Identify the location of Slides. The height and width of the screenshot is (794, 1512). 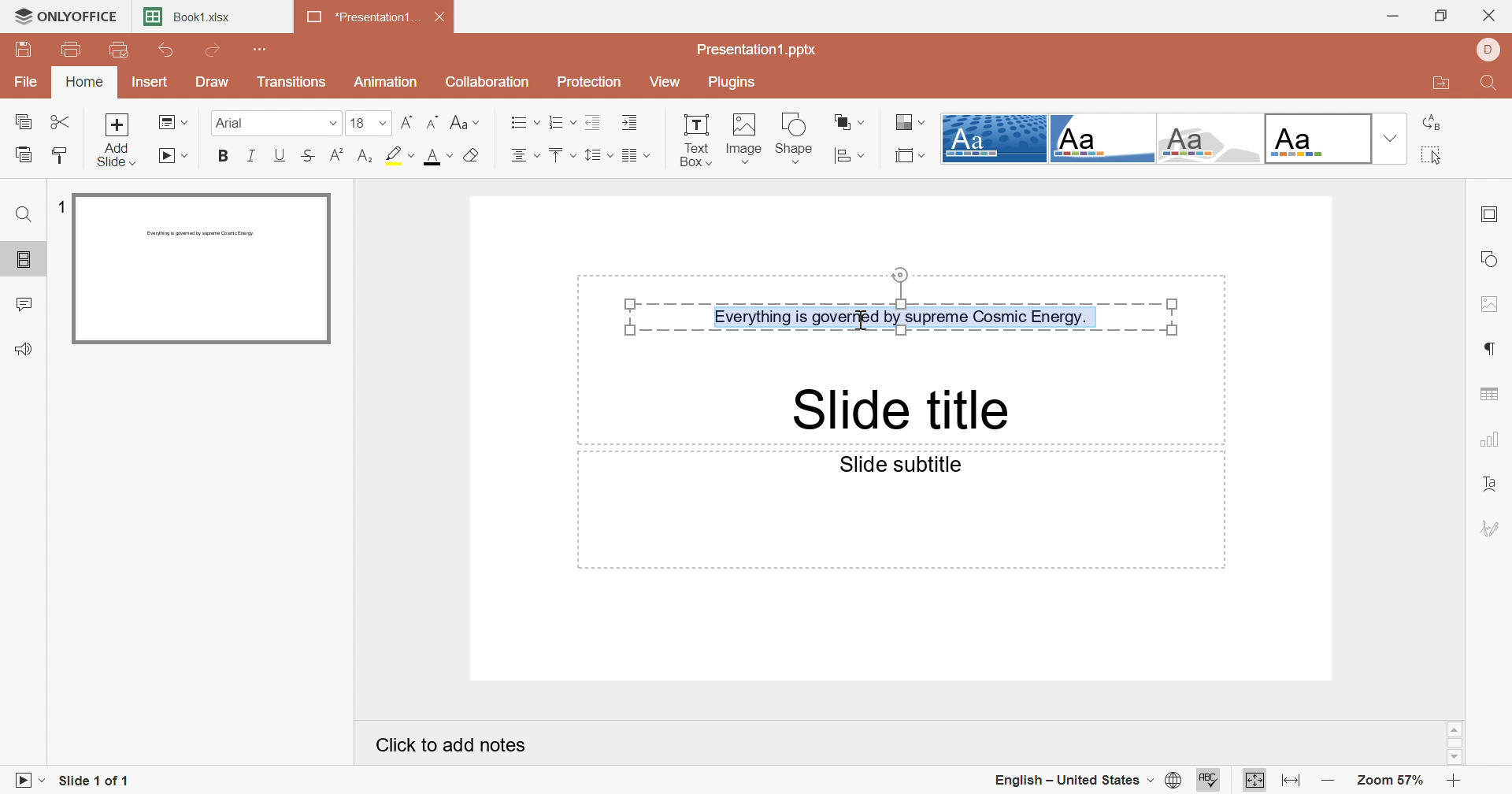
(24, 259).